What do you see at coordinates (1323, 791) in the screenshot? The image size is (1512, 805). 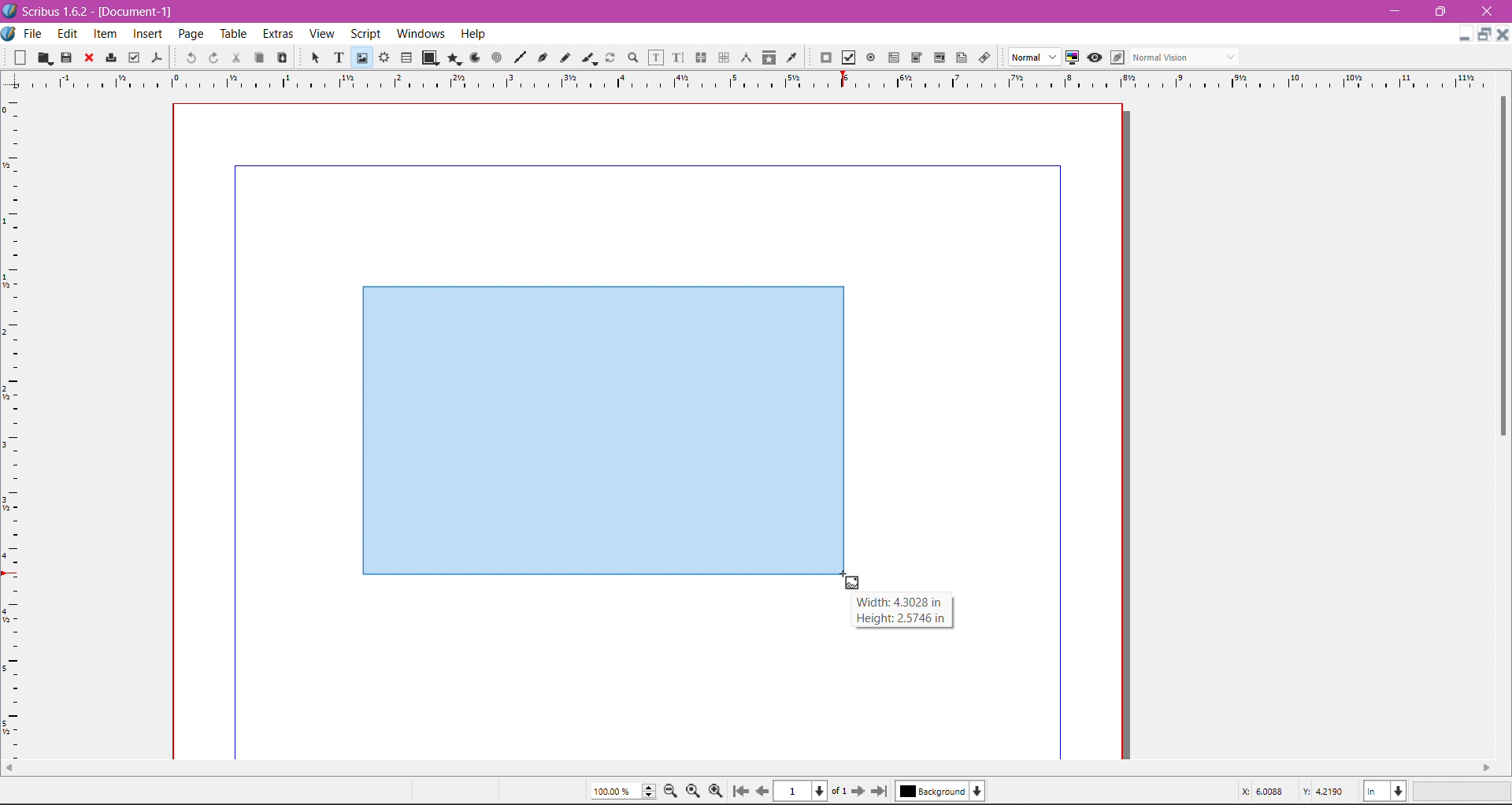 I see `Cursor Coordinate - Y ` at bounding box center [1323, 791].